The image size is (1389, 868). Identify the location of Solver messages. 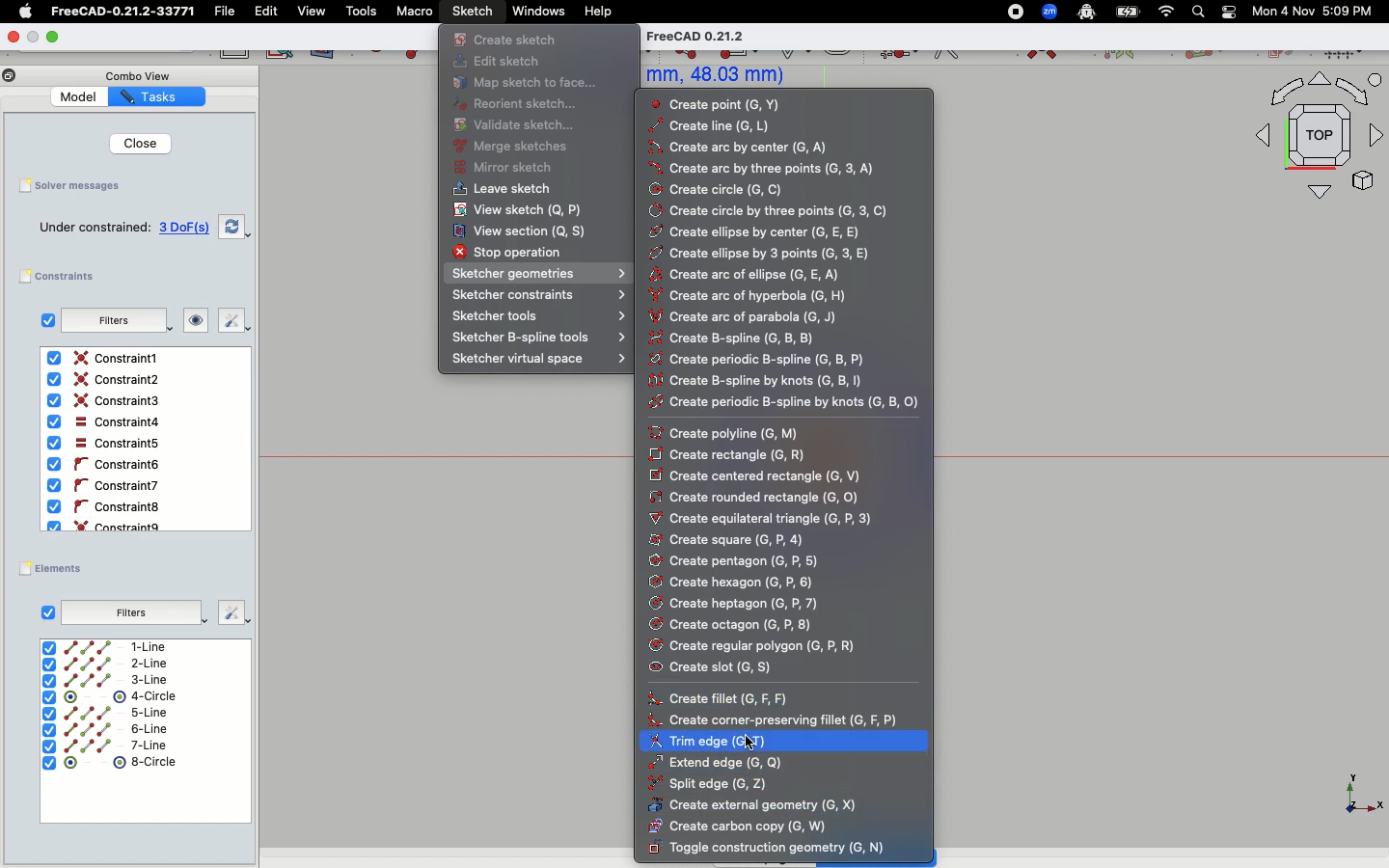
(74, 185).